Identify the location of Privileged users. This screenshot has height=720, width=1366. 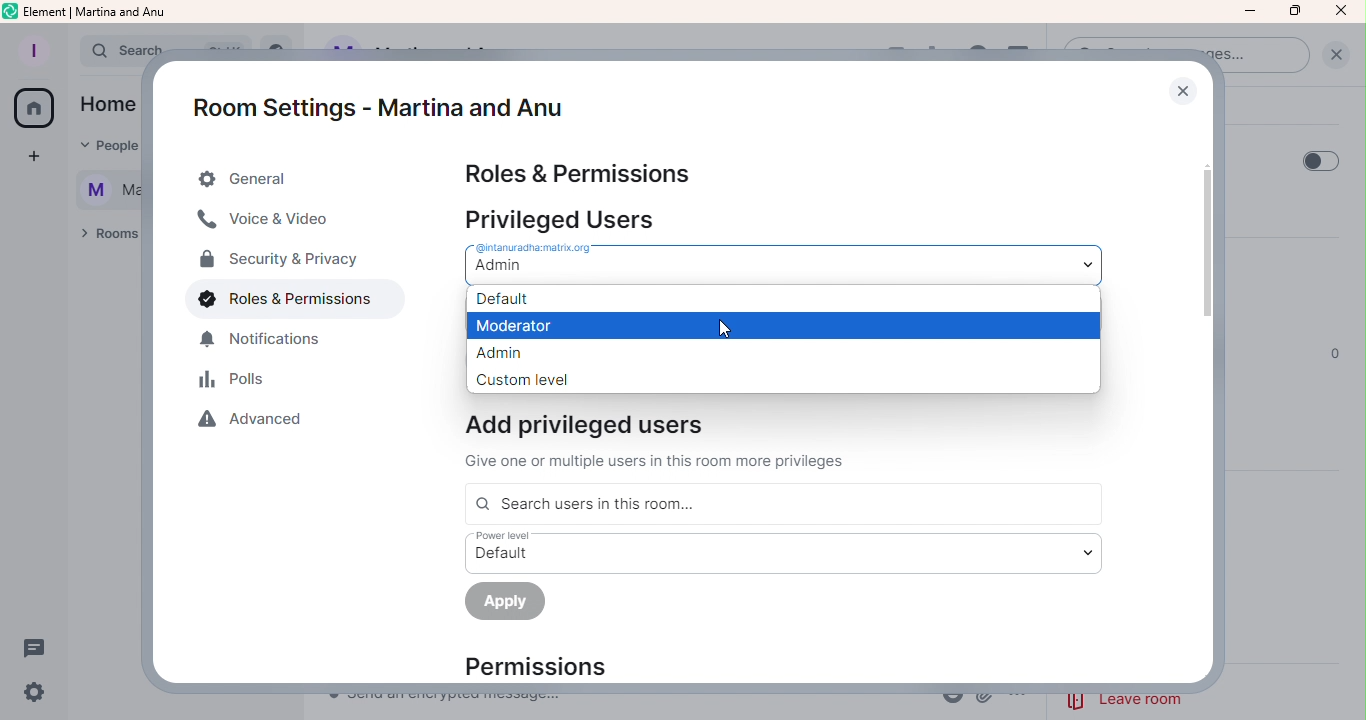
(567, 218).